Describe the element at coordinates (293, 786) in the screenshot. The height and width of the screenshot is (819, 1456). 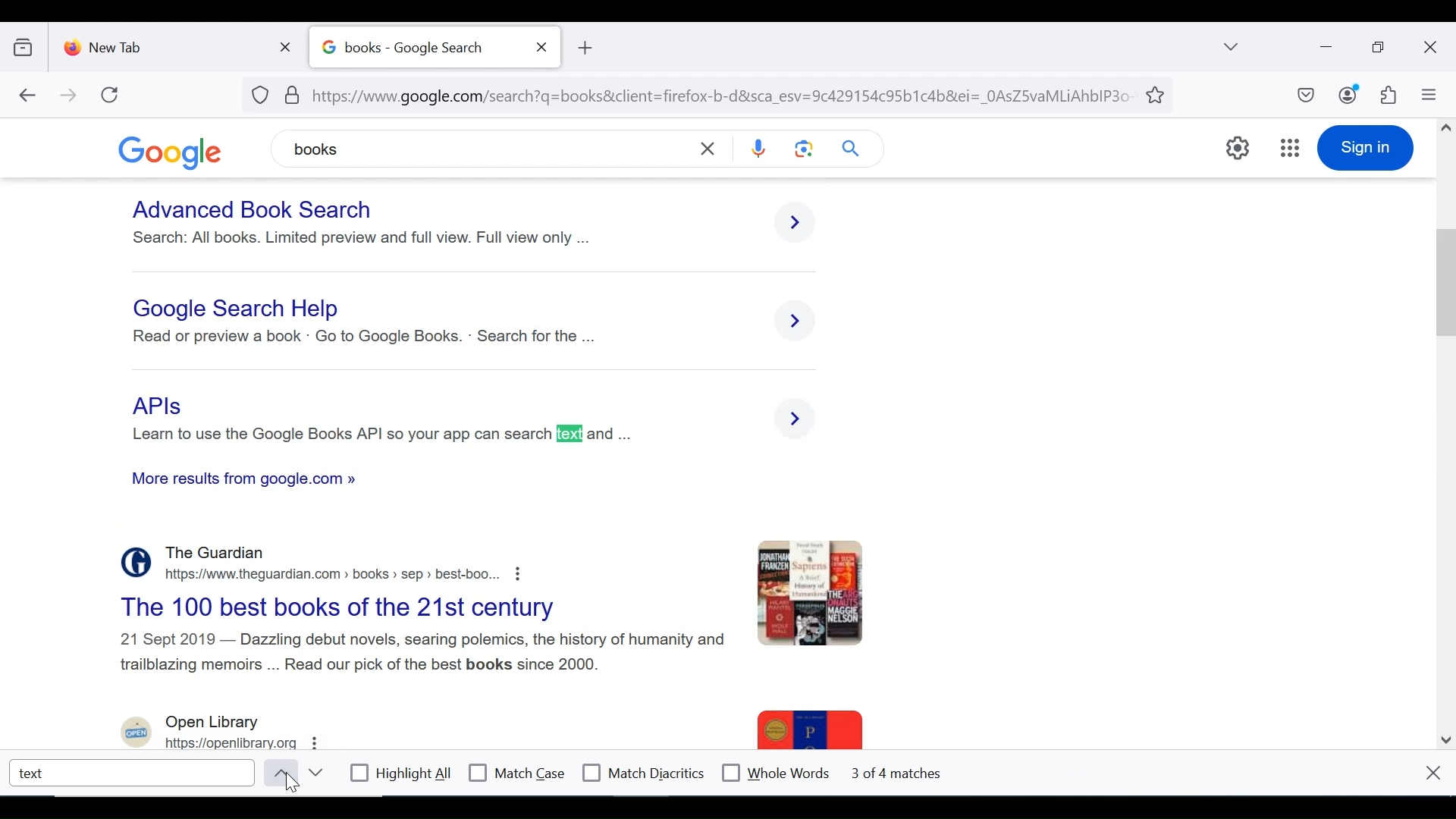
I see `mouse pointer` at that location.